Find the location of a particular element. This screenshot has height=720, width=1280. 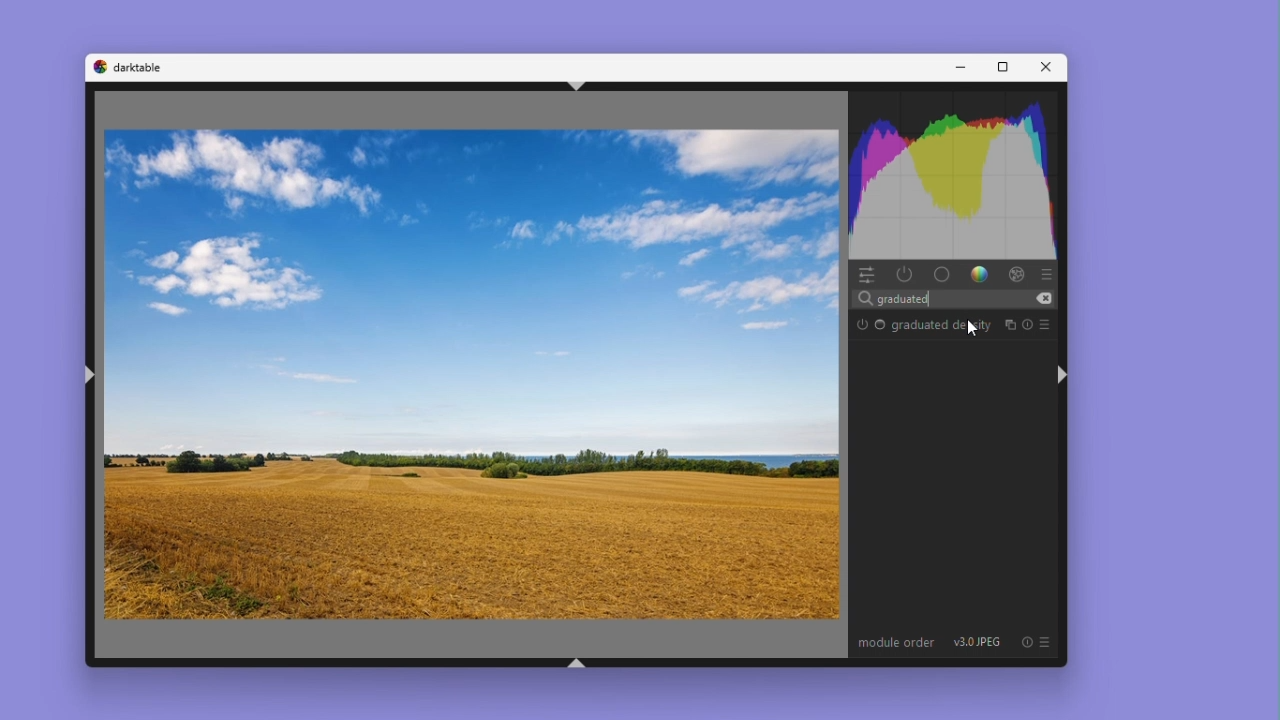

preset is located at coordinates (1024, 642).